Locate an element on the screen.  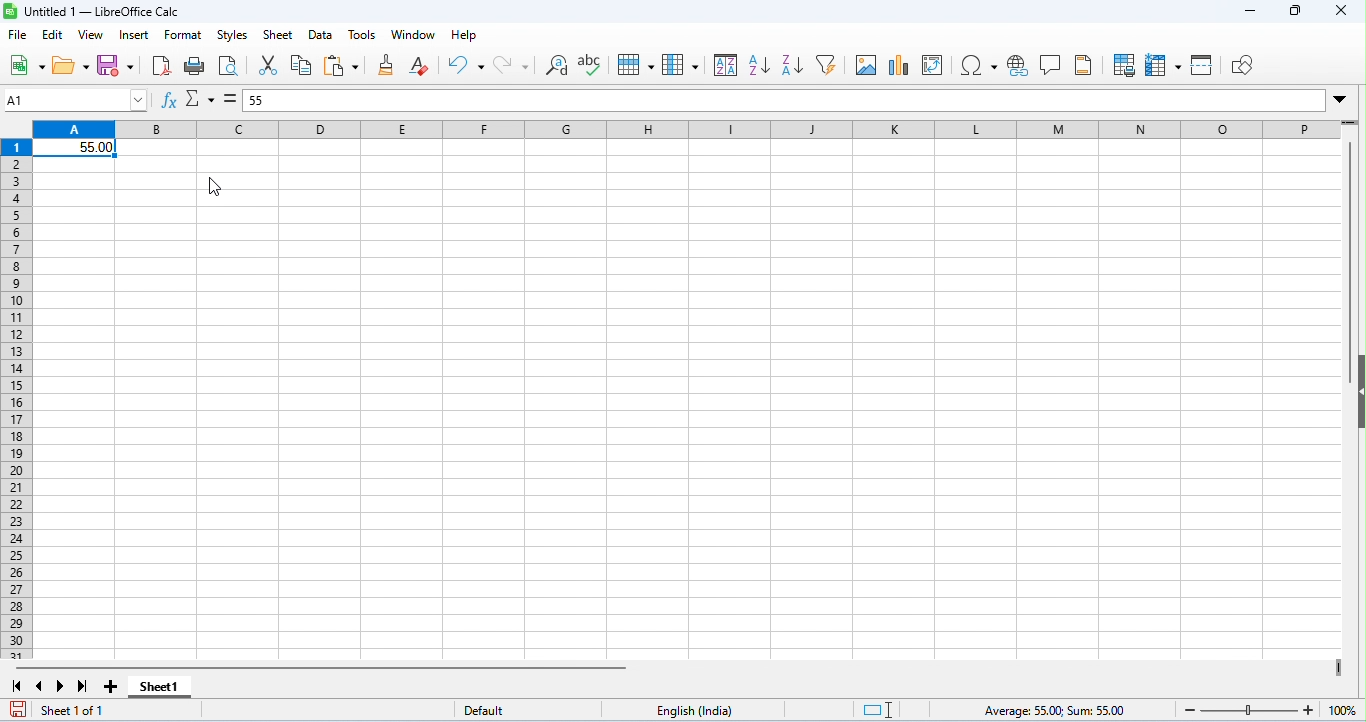
cut is located at coordinates (269, 66).